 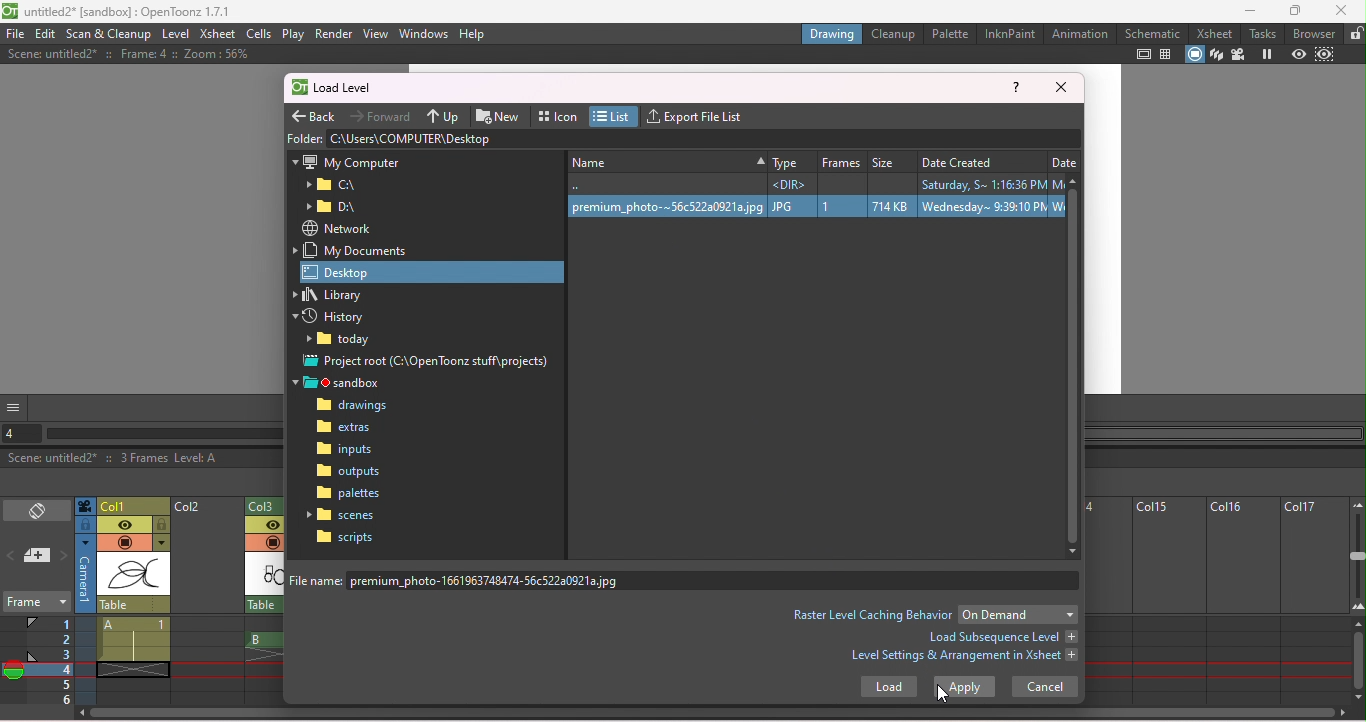 I want to click on apply, so click(x=964, y=687).